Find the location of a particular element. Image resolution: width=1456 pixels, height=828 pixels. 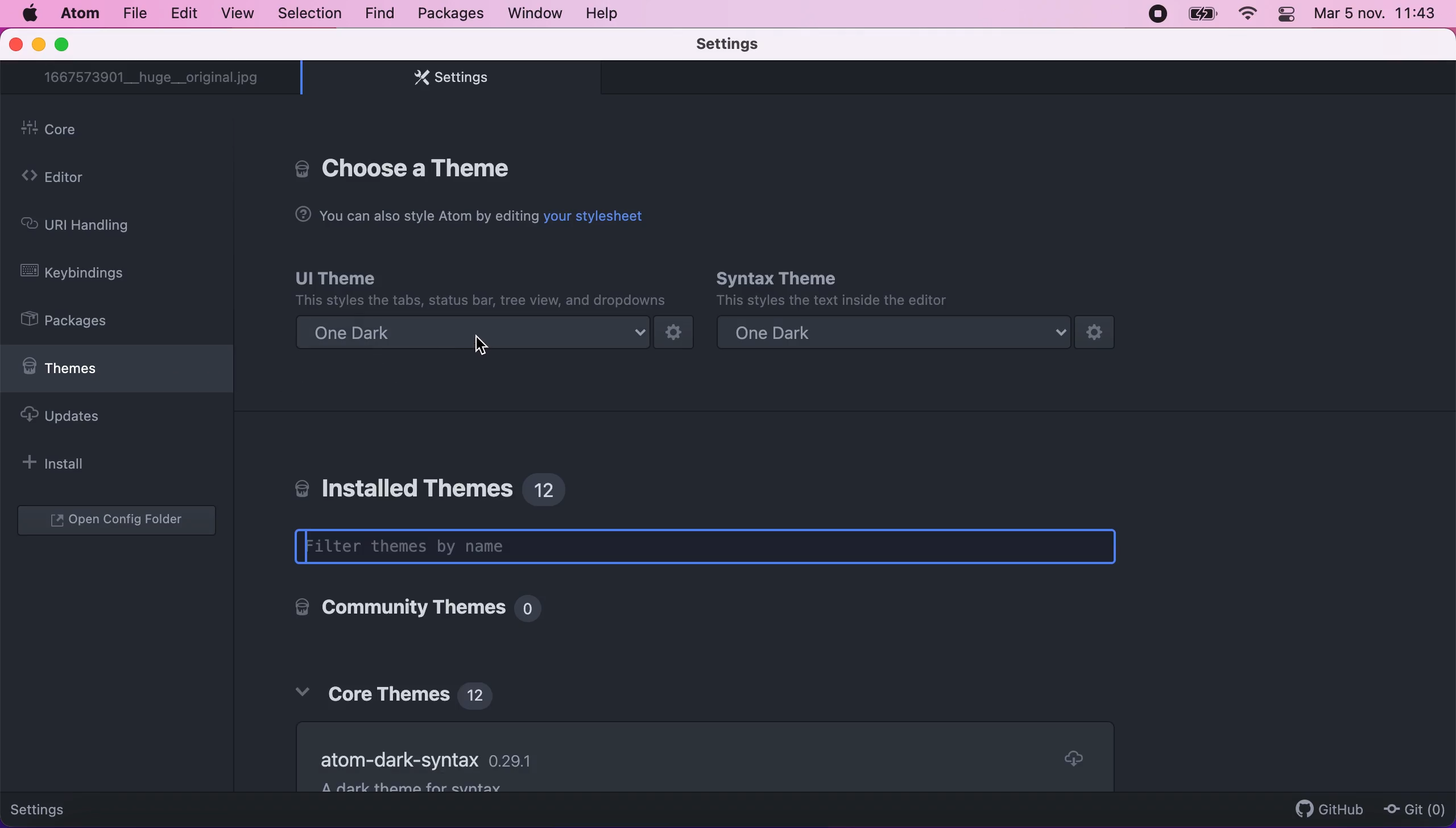

packages is located at coordinates (80, 322).